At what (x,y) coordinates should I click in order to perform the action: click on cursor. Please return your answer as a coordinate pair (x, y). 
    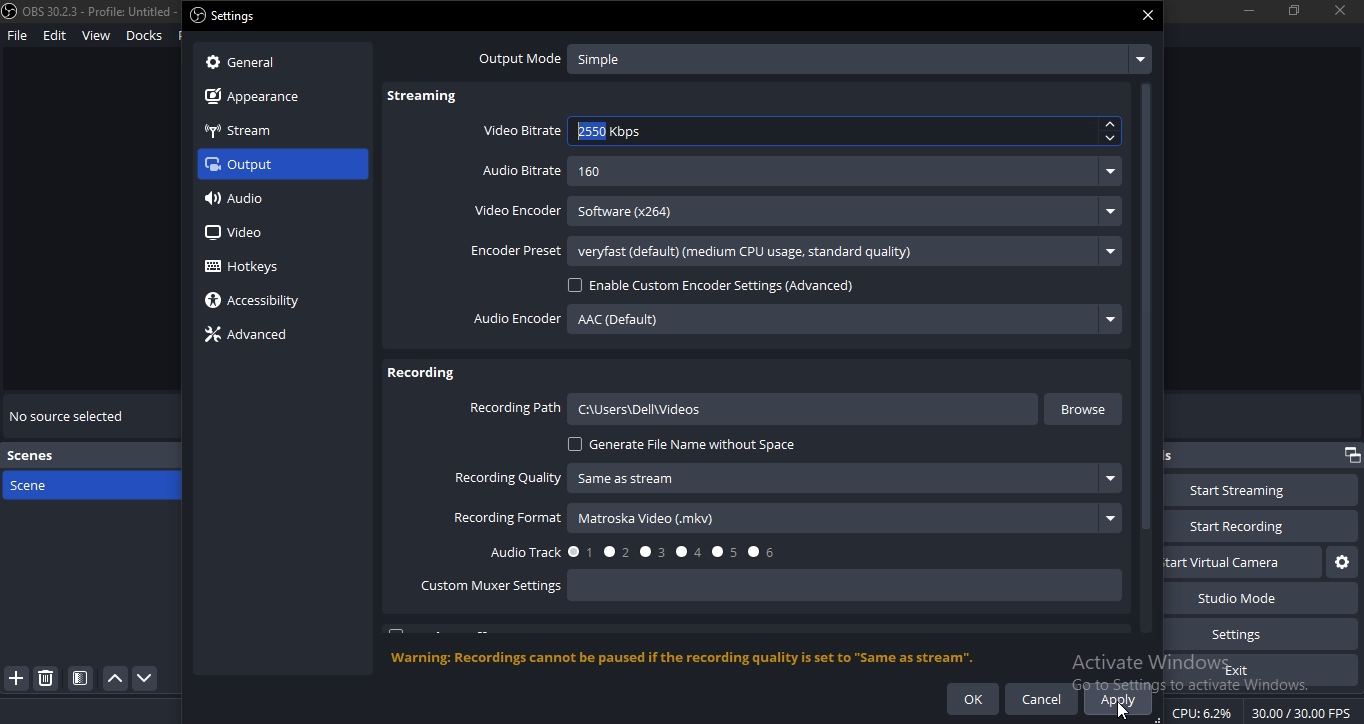
    Looking at the image, I should click on (1122, 712).